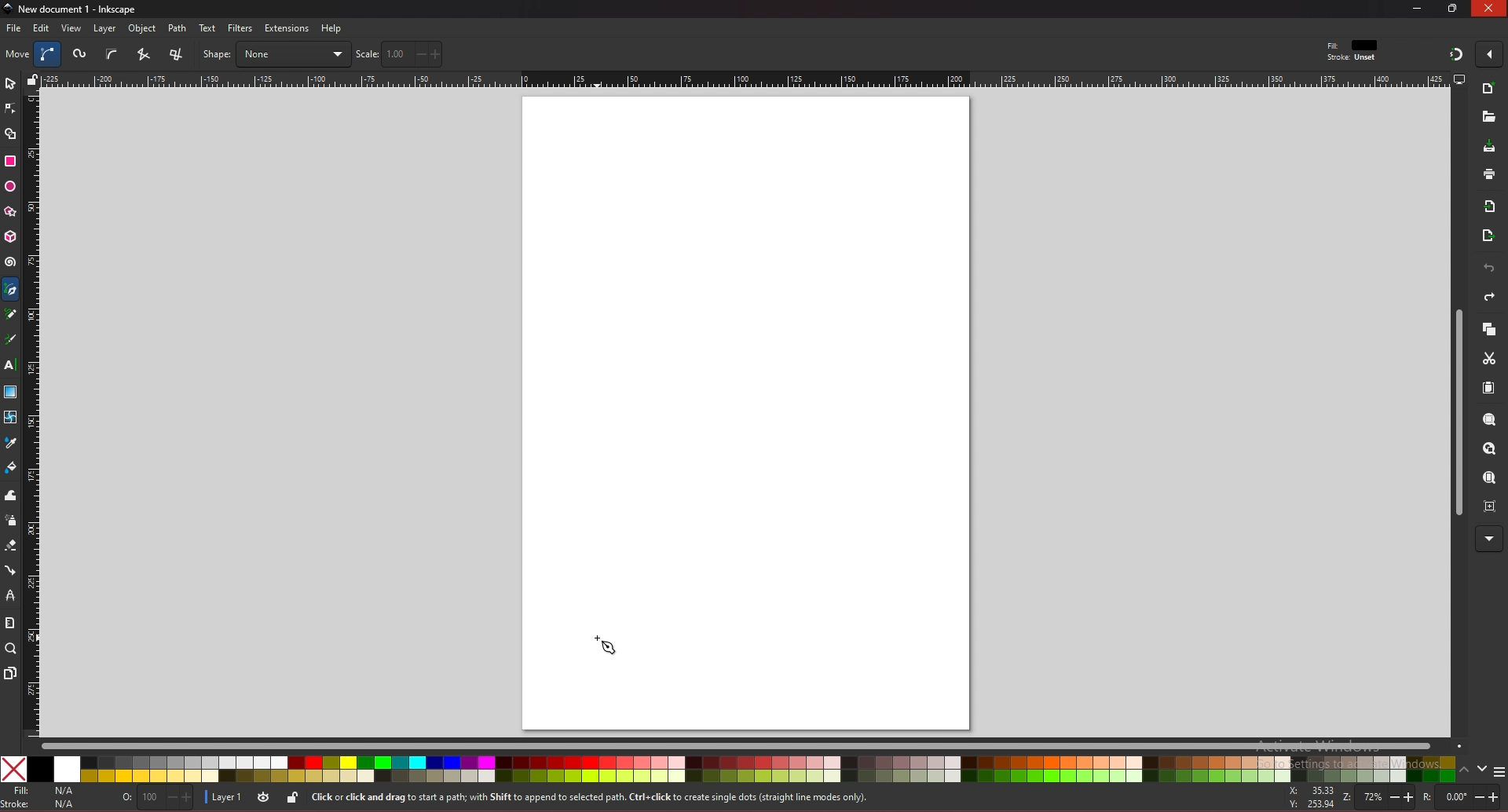 The height and width of the screenshot is (812, 1508). I want to click on layer, so click(104, 28).